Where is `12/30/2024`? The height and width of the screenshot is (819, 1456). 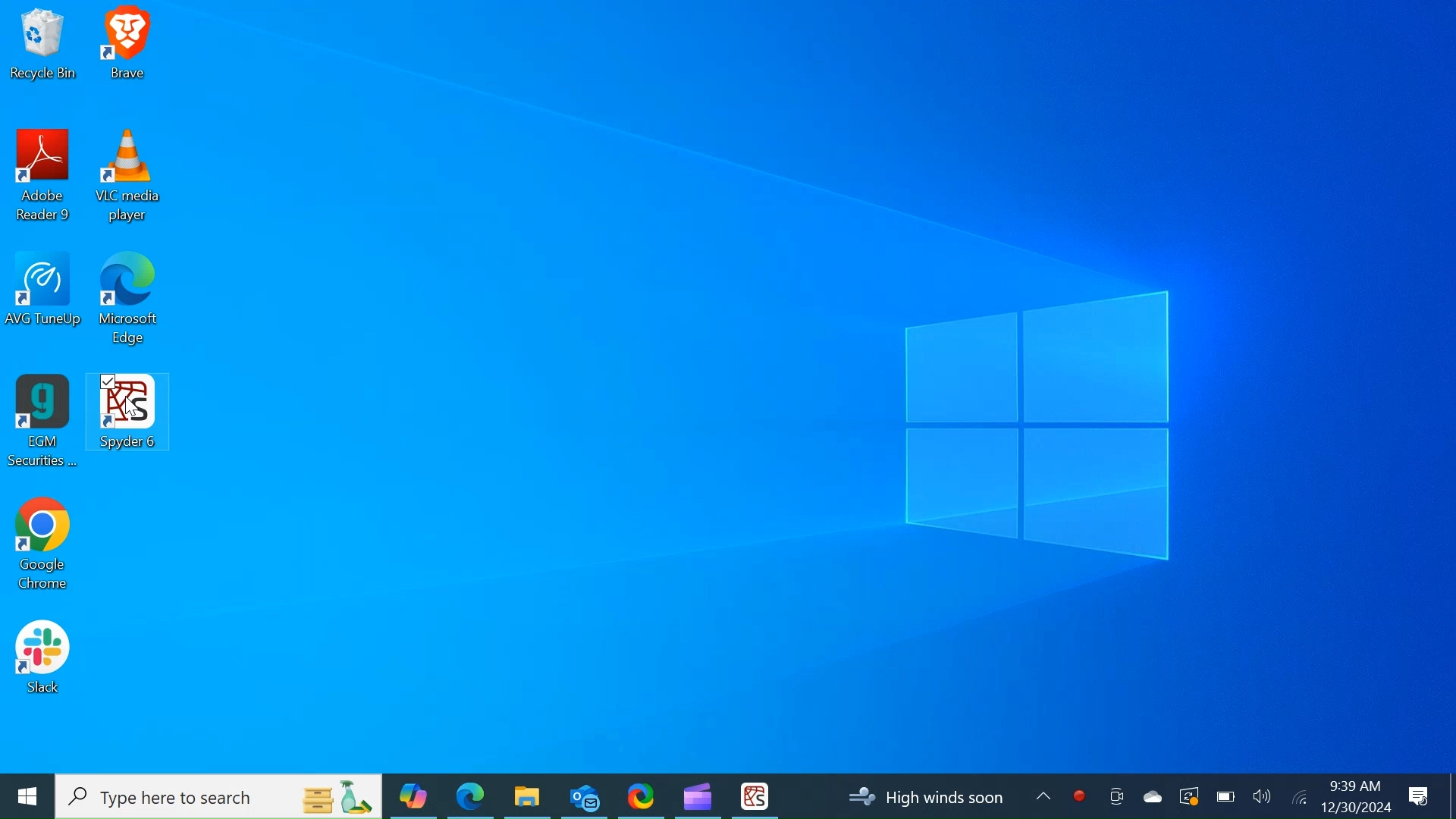
12/30/2024 is located at coordinates (1357, 807).